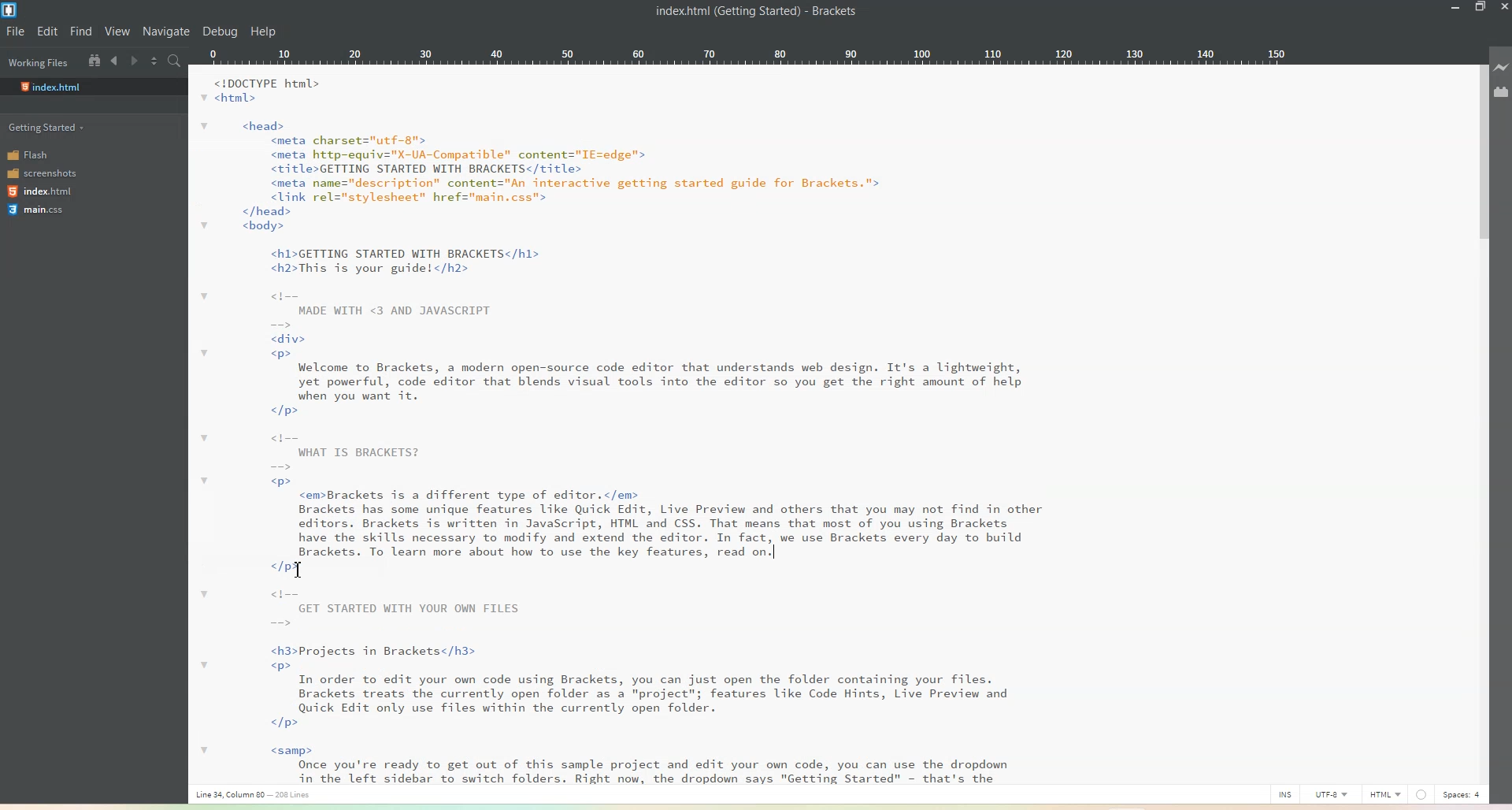  What do you see at coordinates (1502, 65) in the screenshot?
I see `Live preview` at bounding box center [1502, 65].